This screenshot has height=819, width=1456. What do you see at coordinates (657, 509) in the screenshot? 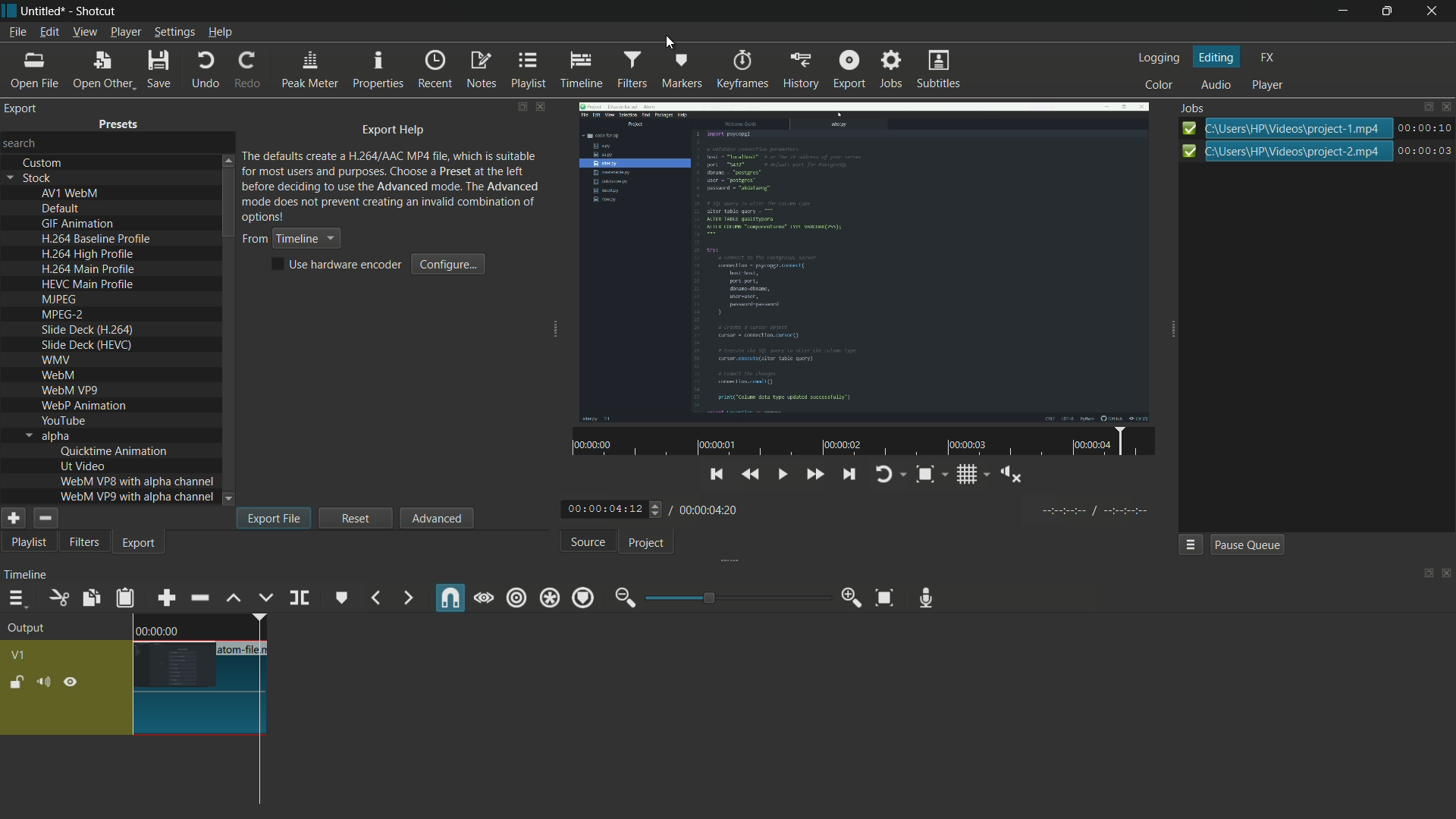
I see `rewind/fast forward` at bounding box center [657, 509].